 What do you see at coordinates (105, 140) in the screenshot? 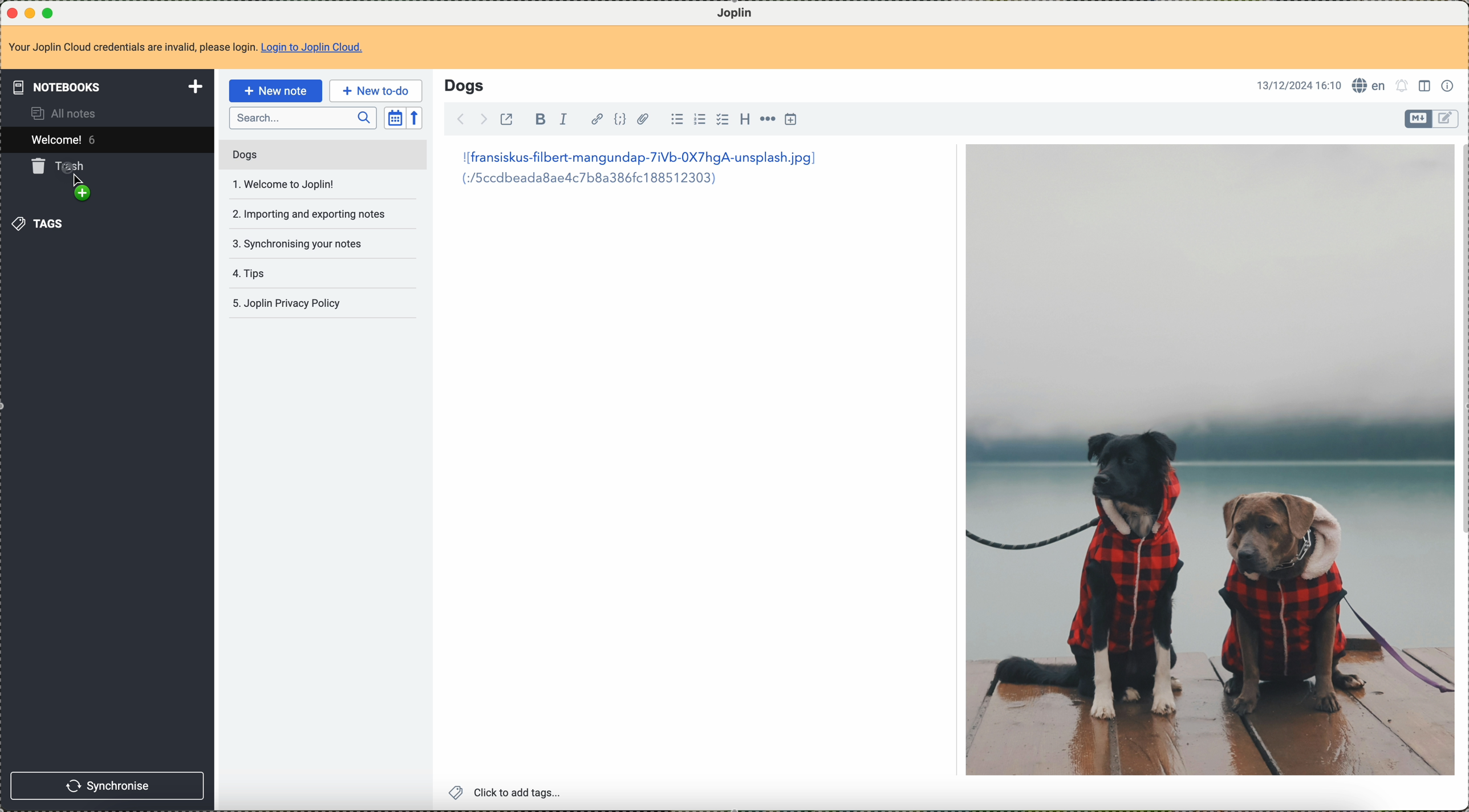
I see `welcome` at bounding box center [105, 140].